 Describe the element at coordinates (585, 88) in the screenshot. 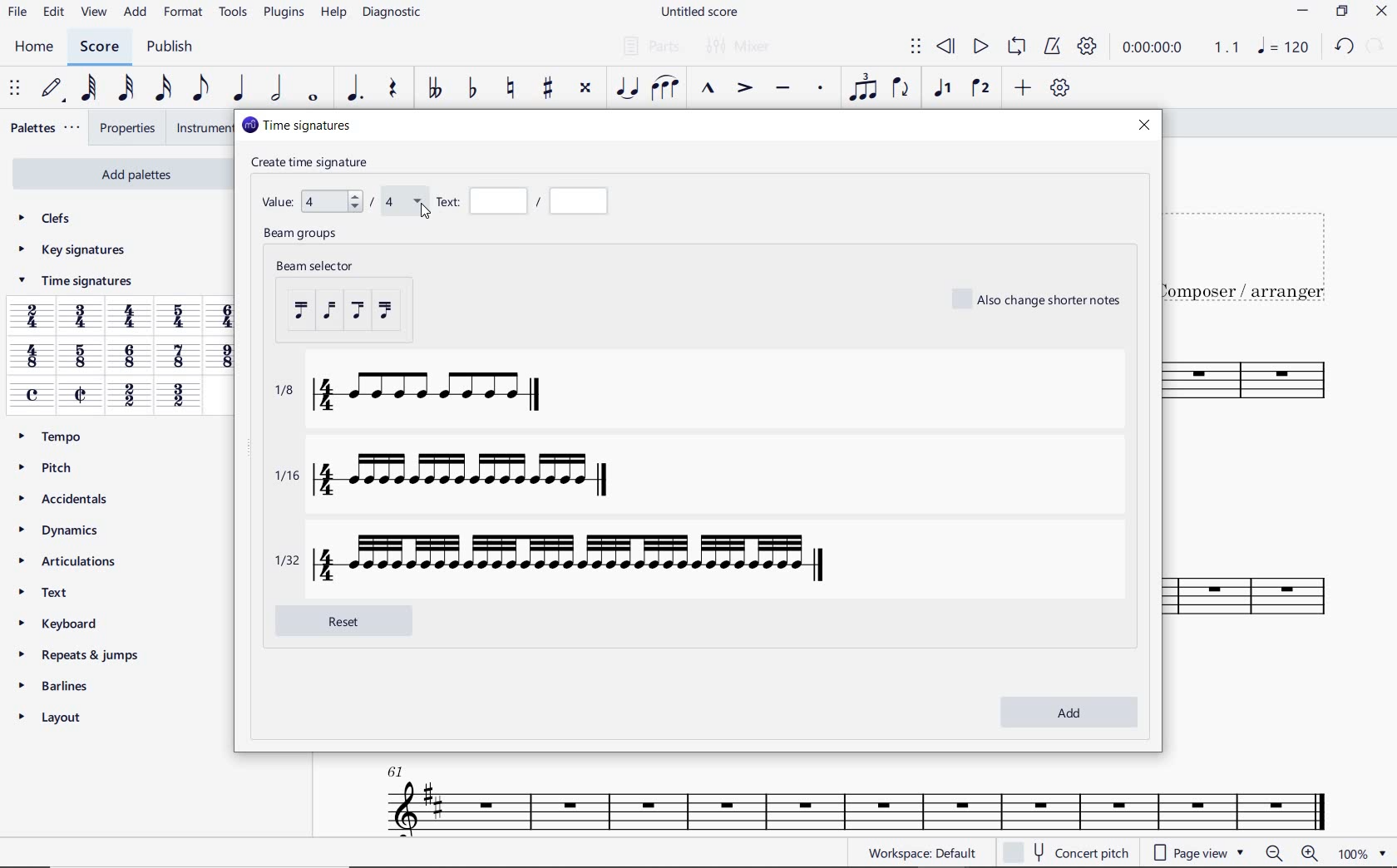

I see `TOGGLE DOUBLE-SHARP` at that location.